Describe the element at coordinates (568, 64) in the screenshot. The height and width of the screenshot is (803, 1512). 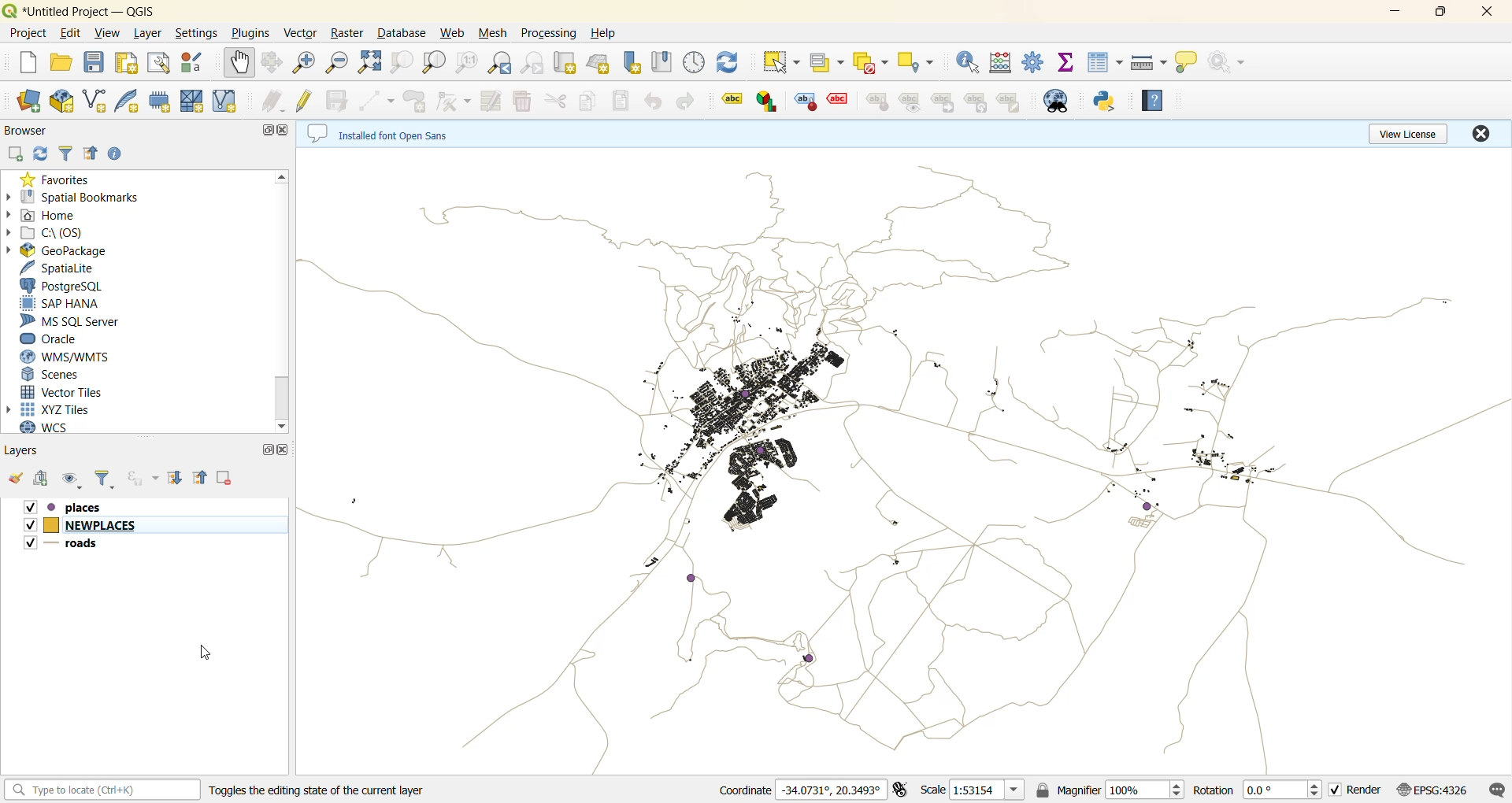
I see `new map view` at that location.